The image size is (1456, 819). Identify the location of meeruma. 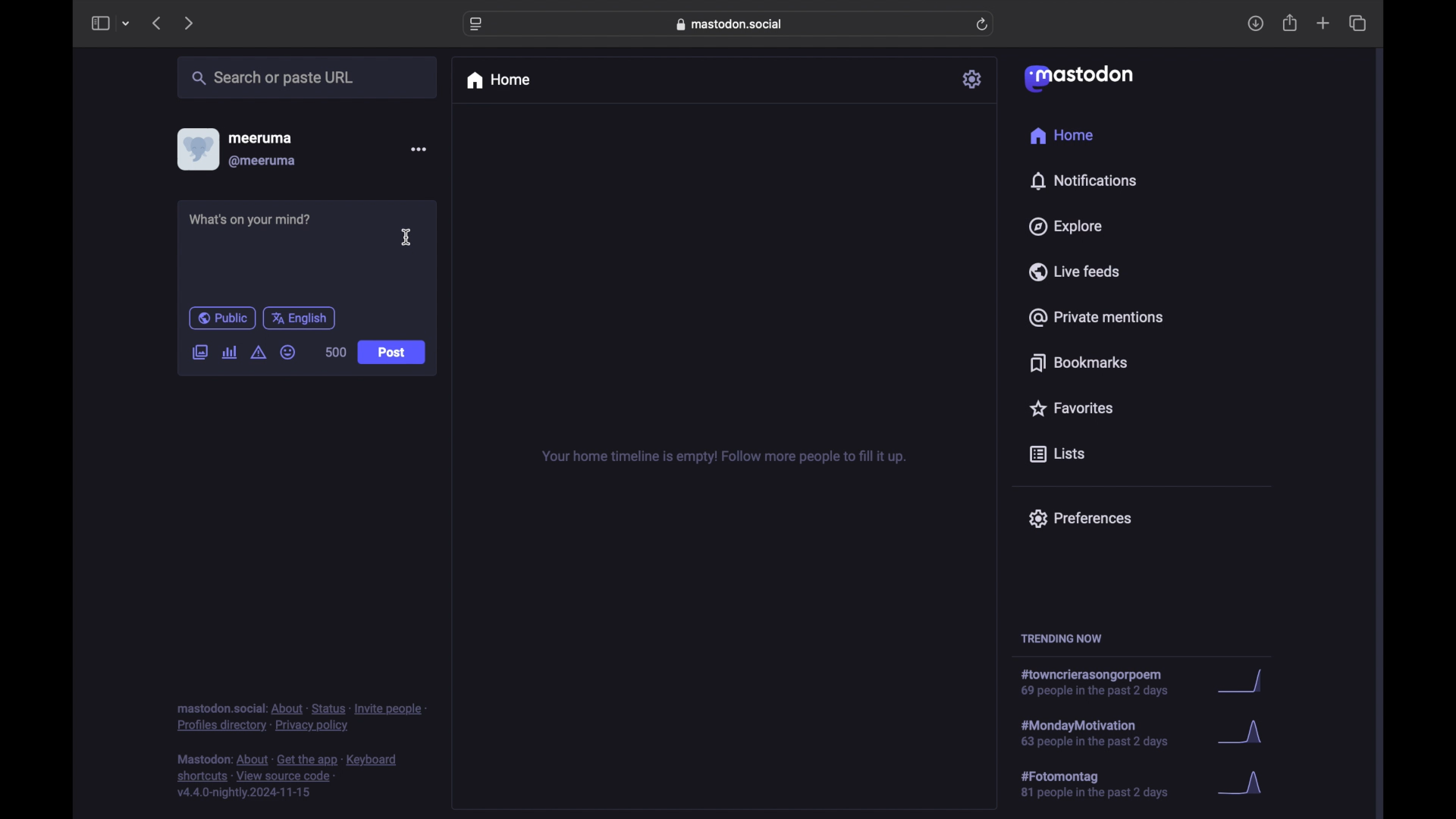
(260, 137).